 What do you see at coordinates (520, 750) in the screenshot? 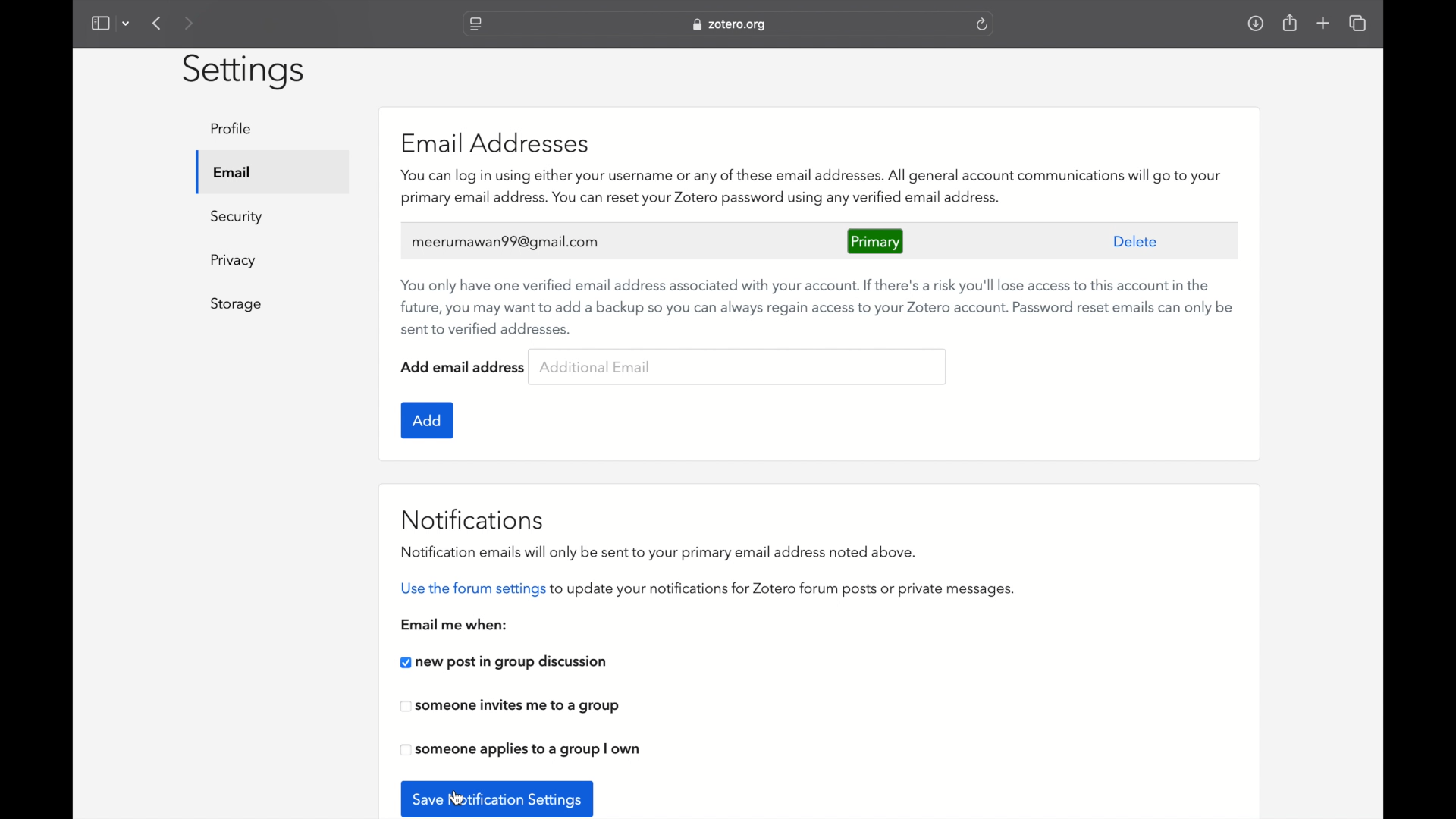
I see `someone applies to a group i own ` at bounding box center [520, 750].